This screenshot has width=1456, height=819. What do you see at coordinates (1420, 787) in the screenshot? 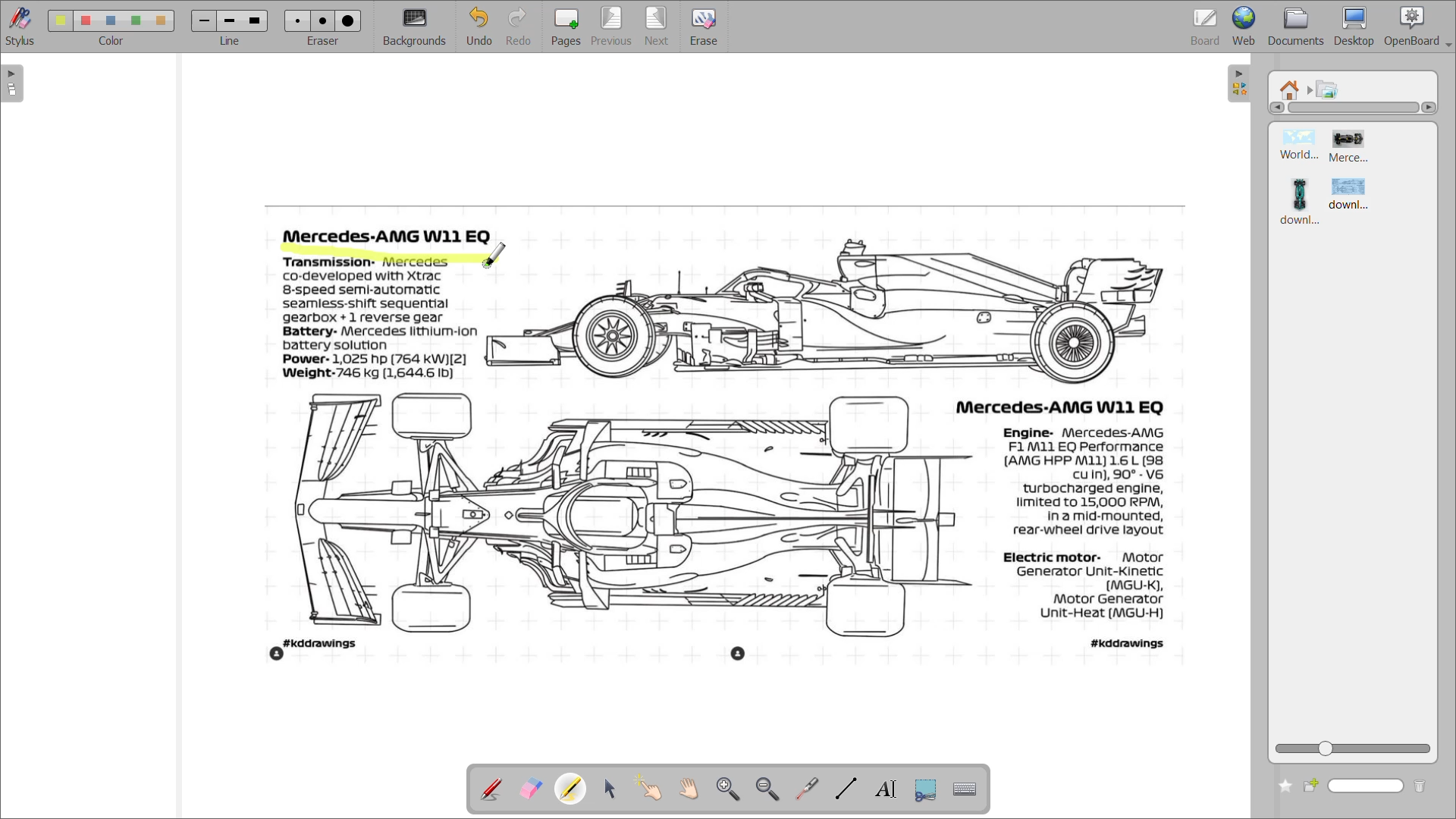
I see `delete` at bounding box center [1420, 787].